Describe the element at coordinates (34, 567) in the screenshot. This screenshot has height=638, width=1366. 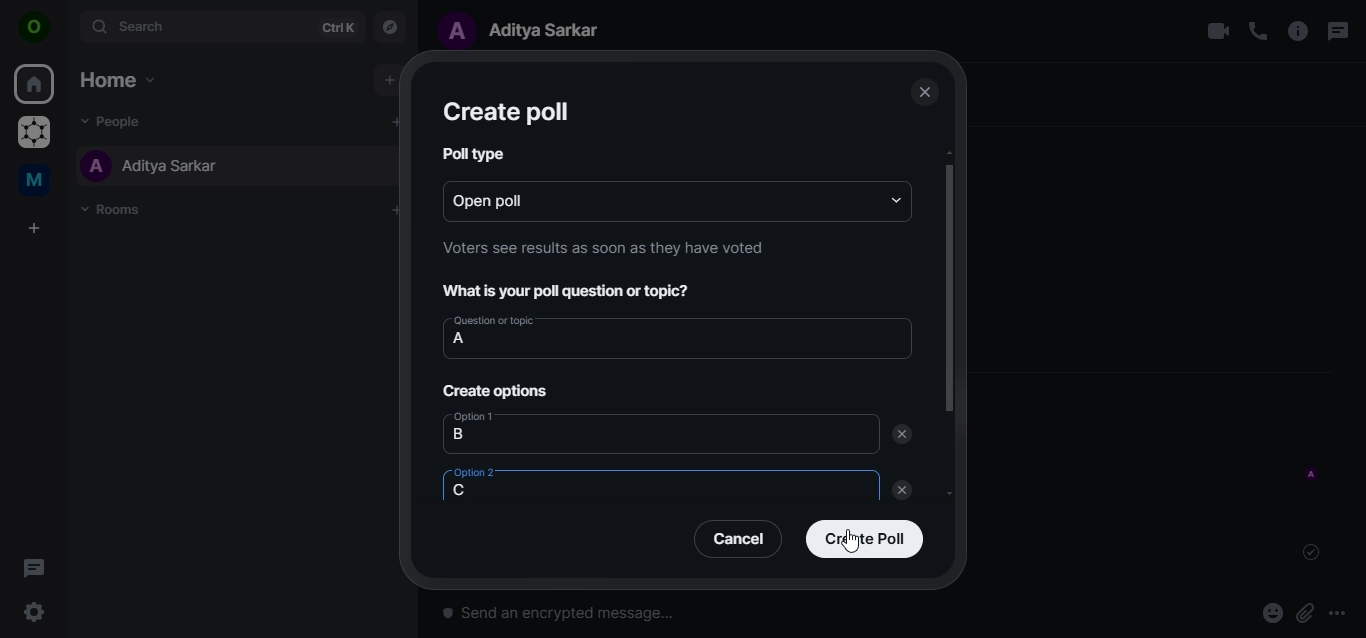
I see `threads` at that location.